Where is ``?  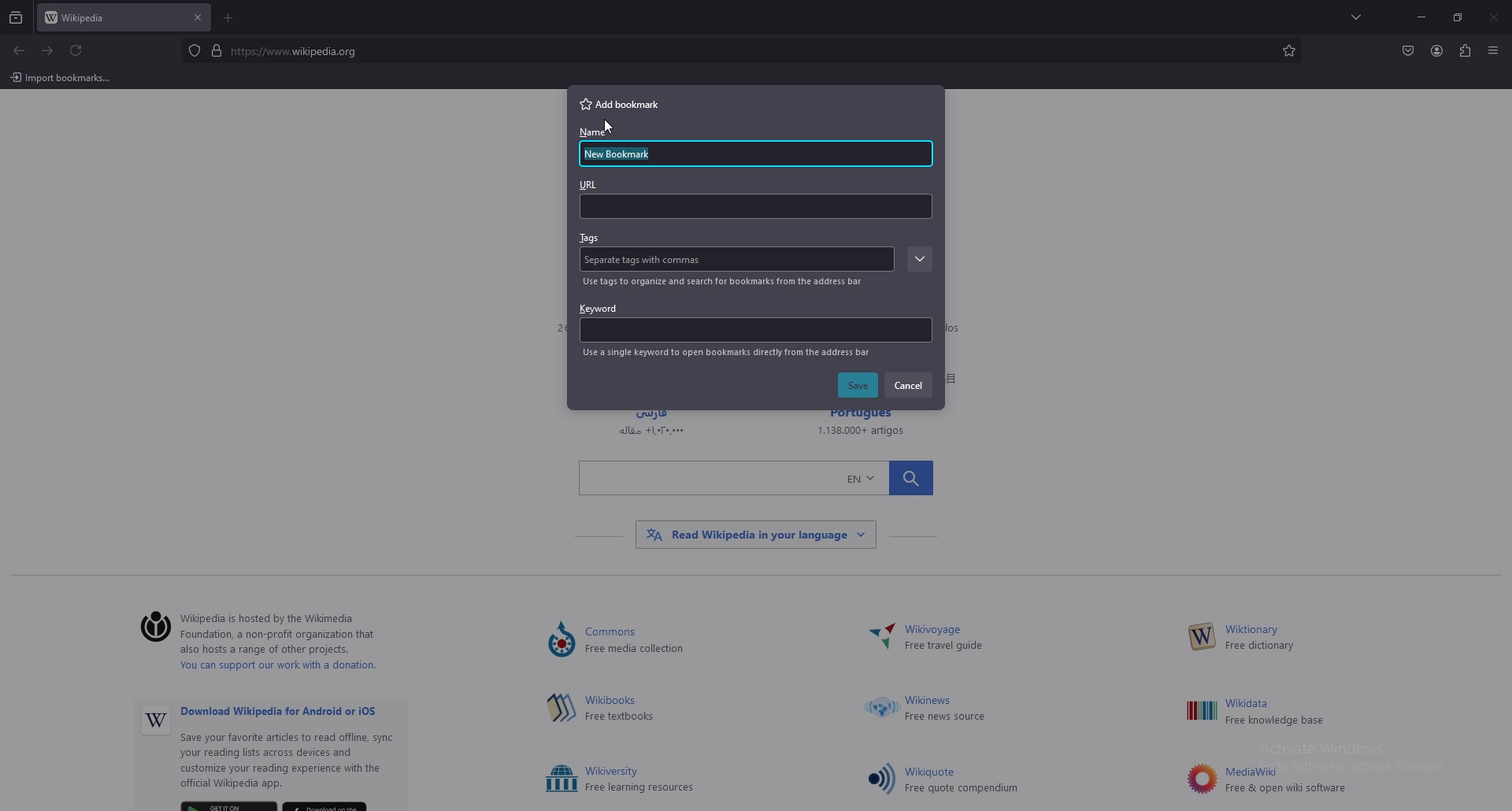  is located at coordinates (561, 641).